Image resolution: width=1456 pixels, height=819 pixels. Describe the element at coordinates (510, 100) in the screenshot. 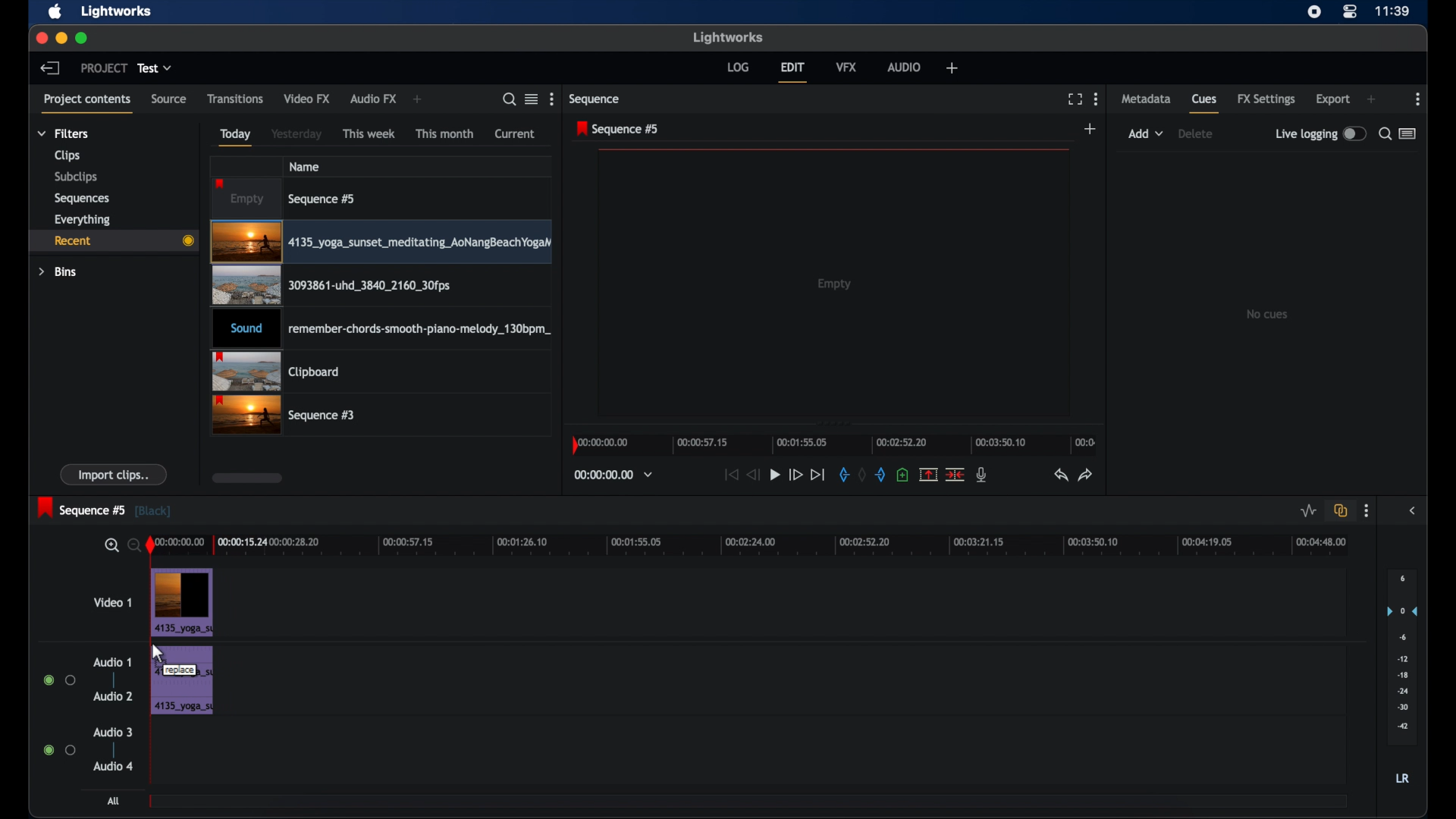

I see `search` at that location.